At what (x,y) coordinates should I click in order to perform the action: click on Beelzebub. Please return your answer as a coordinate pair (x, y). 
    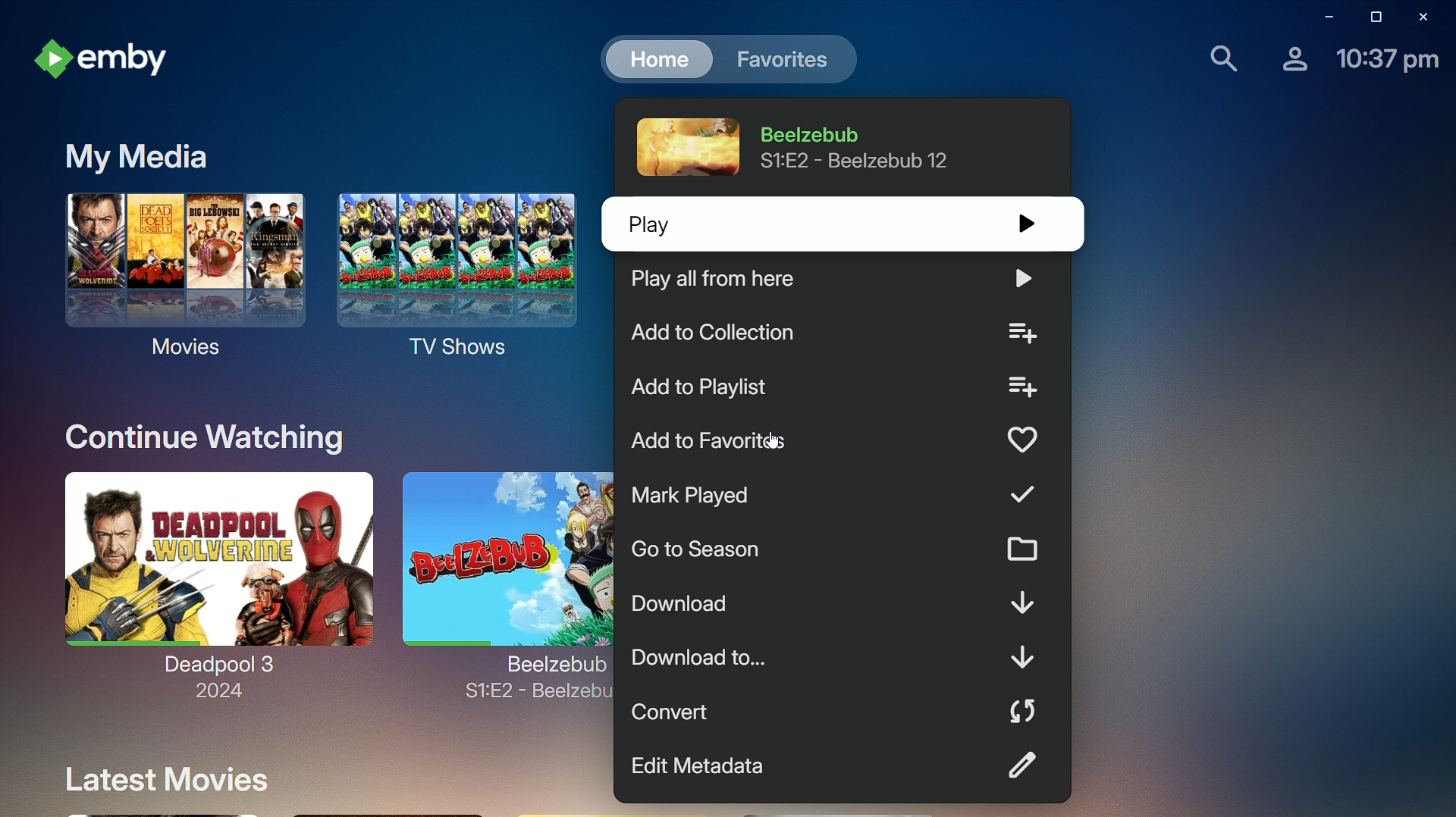
    Looking at the image, I should click on (802, 147).